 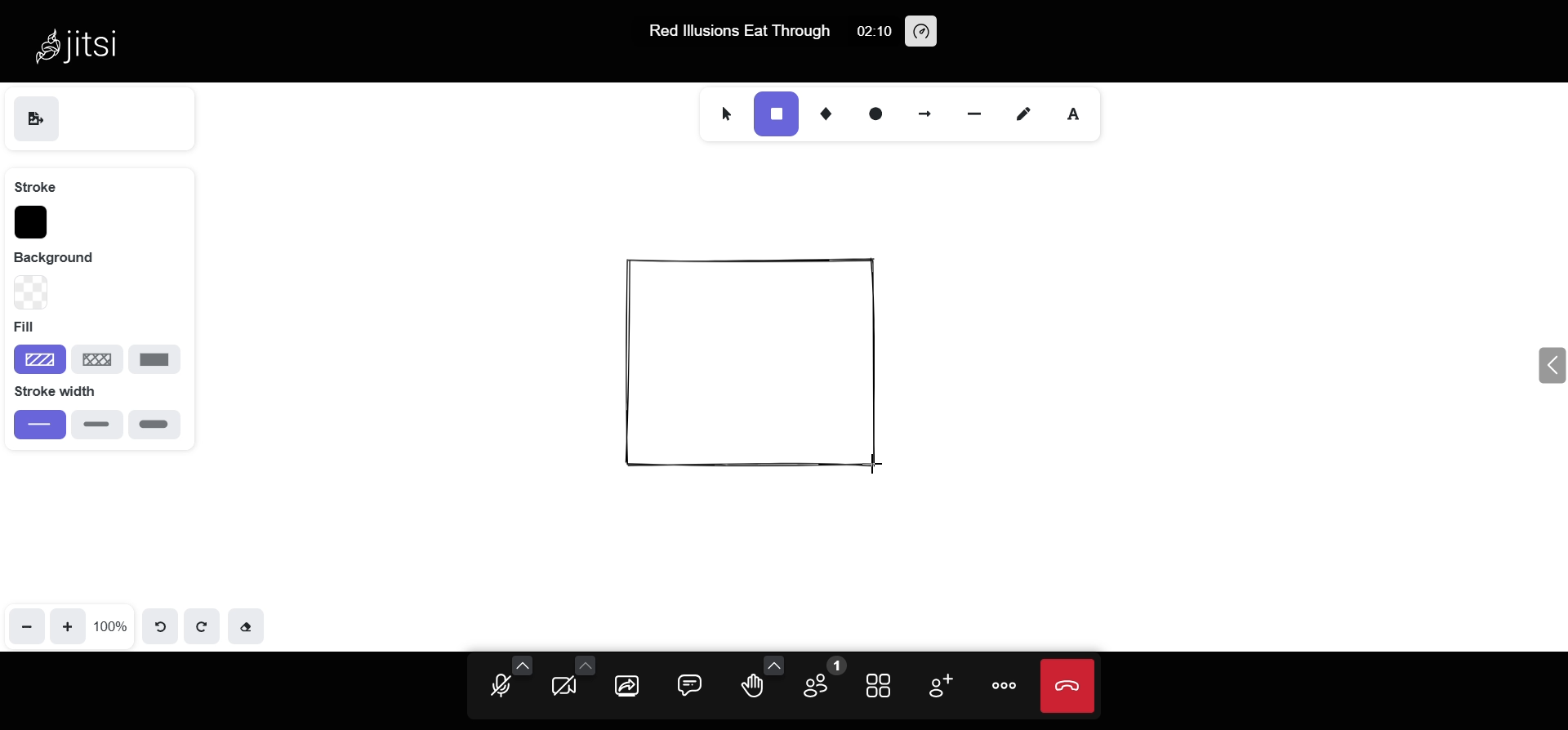 I want to click on expand, so click(x=1548, y=367).